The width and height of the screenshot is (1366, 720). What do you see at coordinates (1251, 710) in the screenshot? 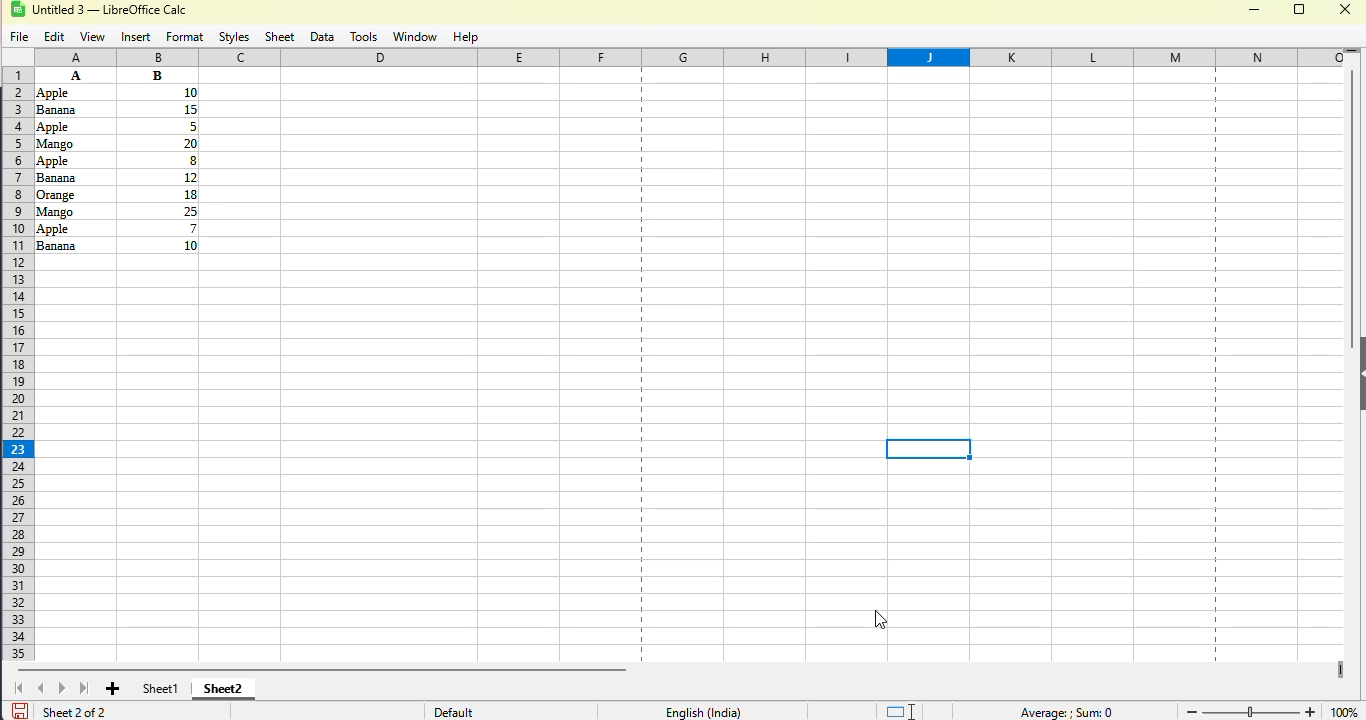
I see `change zoom level` at bounding box center [1251, 710].